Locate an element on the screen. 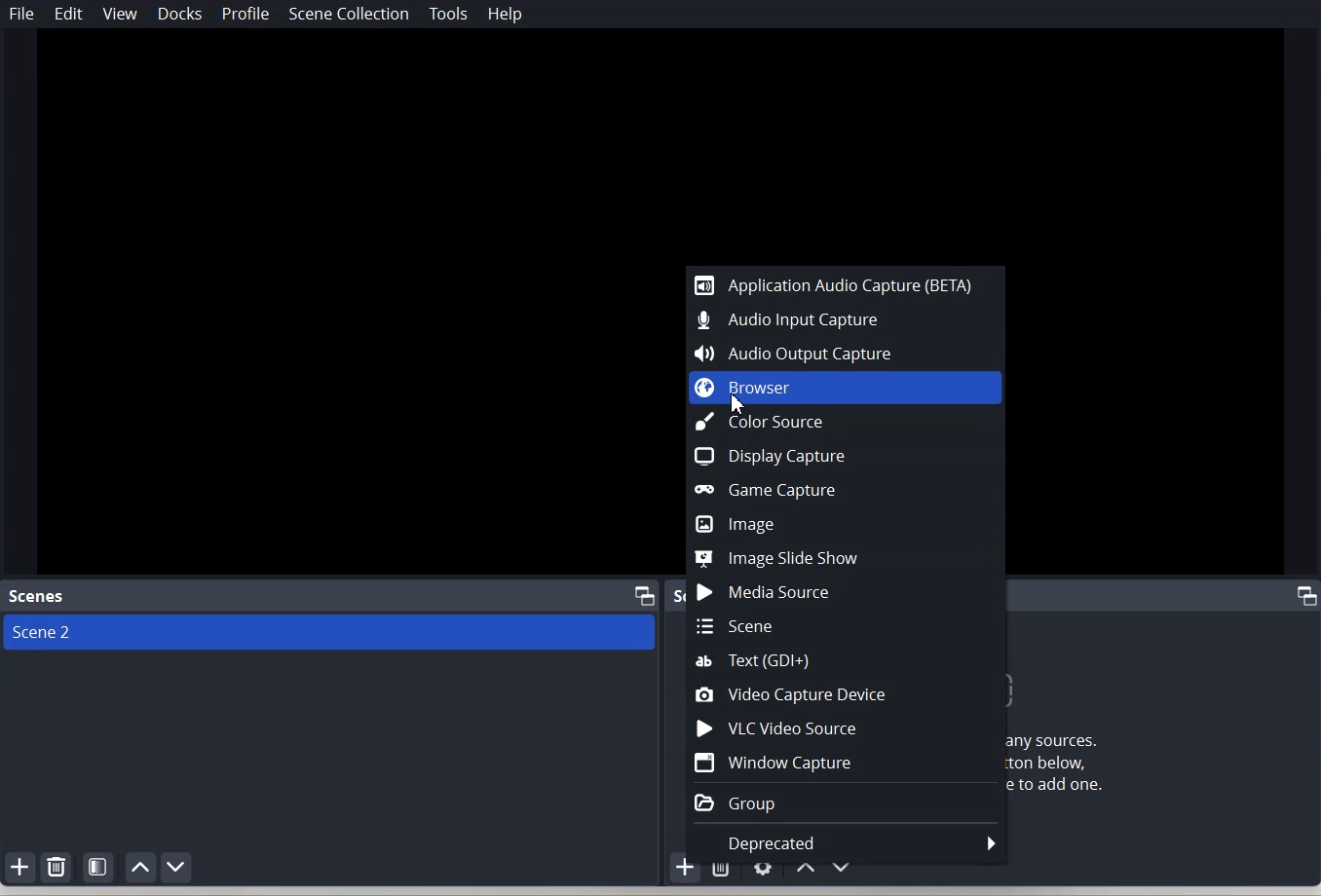  Profile is located at coordinates (245, 16).